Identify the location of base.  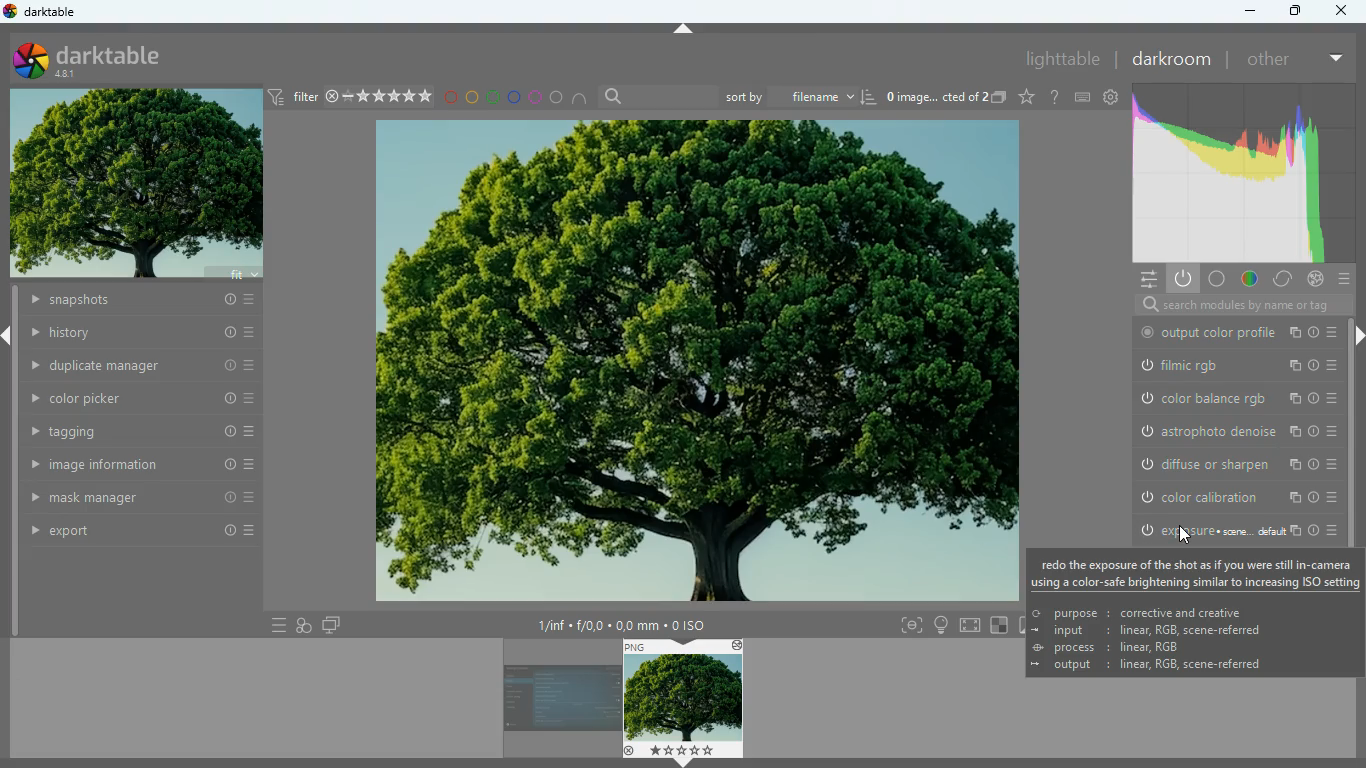
(1222, 280).